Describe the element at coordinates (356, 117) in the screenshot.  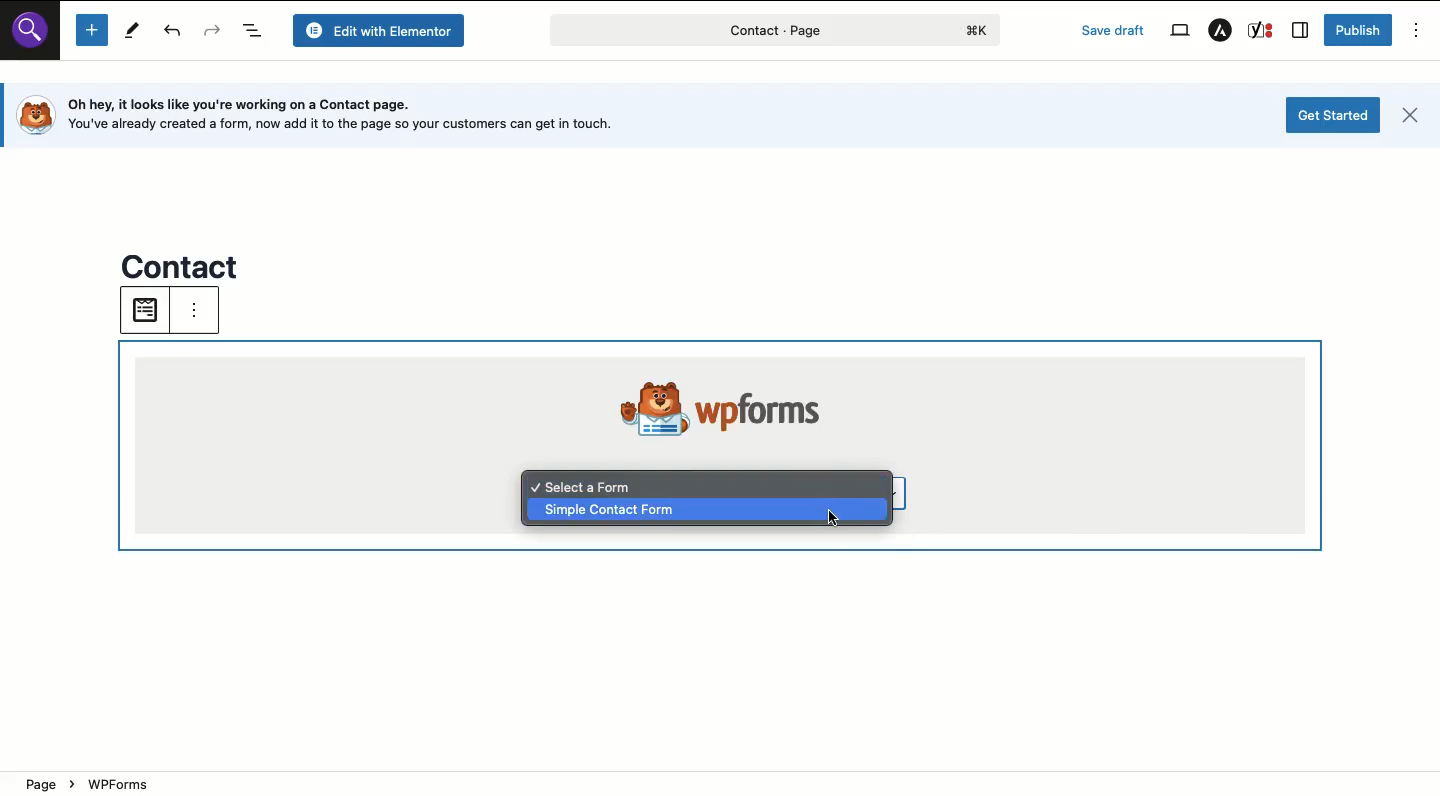
I see `Oh hey, it looks like you're working on a Contact page.
[o} You've already created a form, now add it to the page so your customers can get in touch.` at that location.